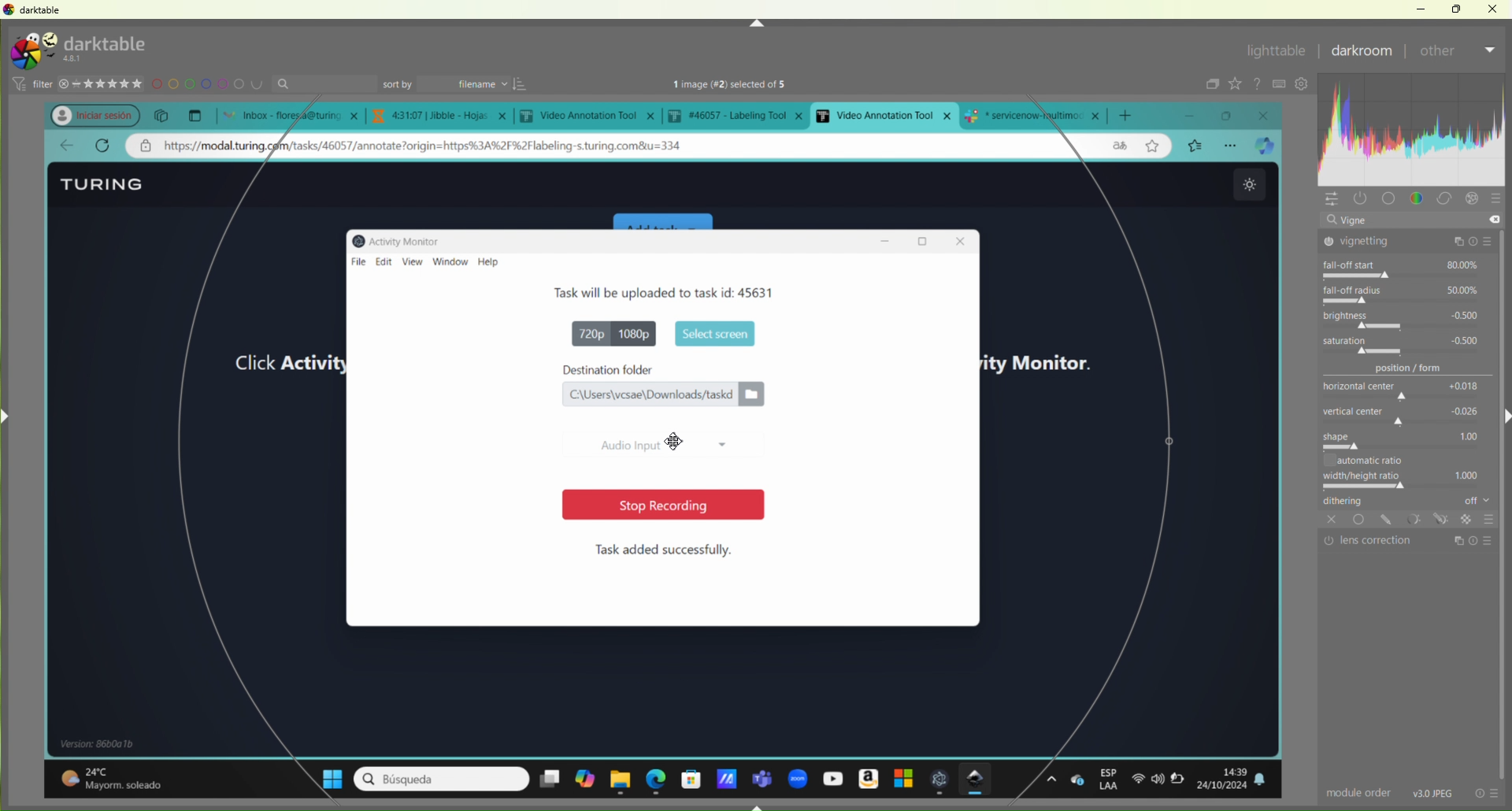  What do you see at coordinates (159, 116) in the screenshot?
I see `copy` at bounding box center [159, 116].